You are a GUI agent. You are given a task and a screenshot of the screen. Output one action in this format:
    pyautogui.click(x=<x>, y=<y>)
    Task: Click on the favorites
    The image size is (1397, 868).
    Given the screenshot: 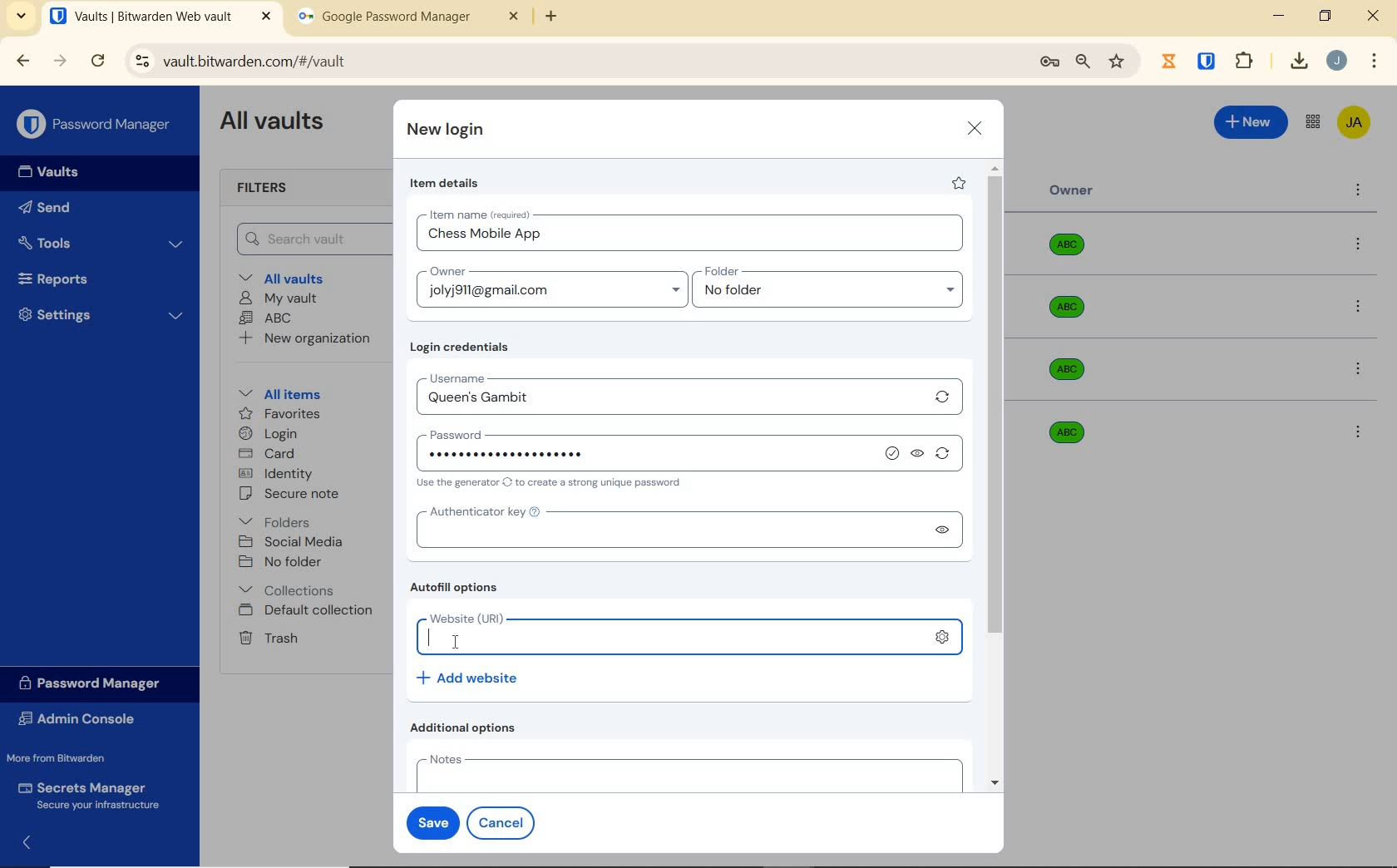 What is the action you would take?
    pyautogui.click(x=281, y=416)
    